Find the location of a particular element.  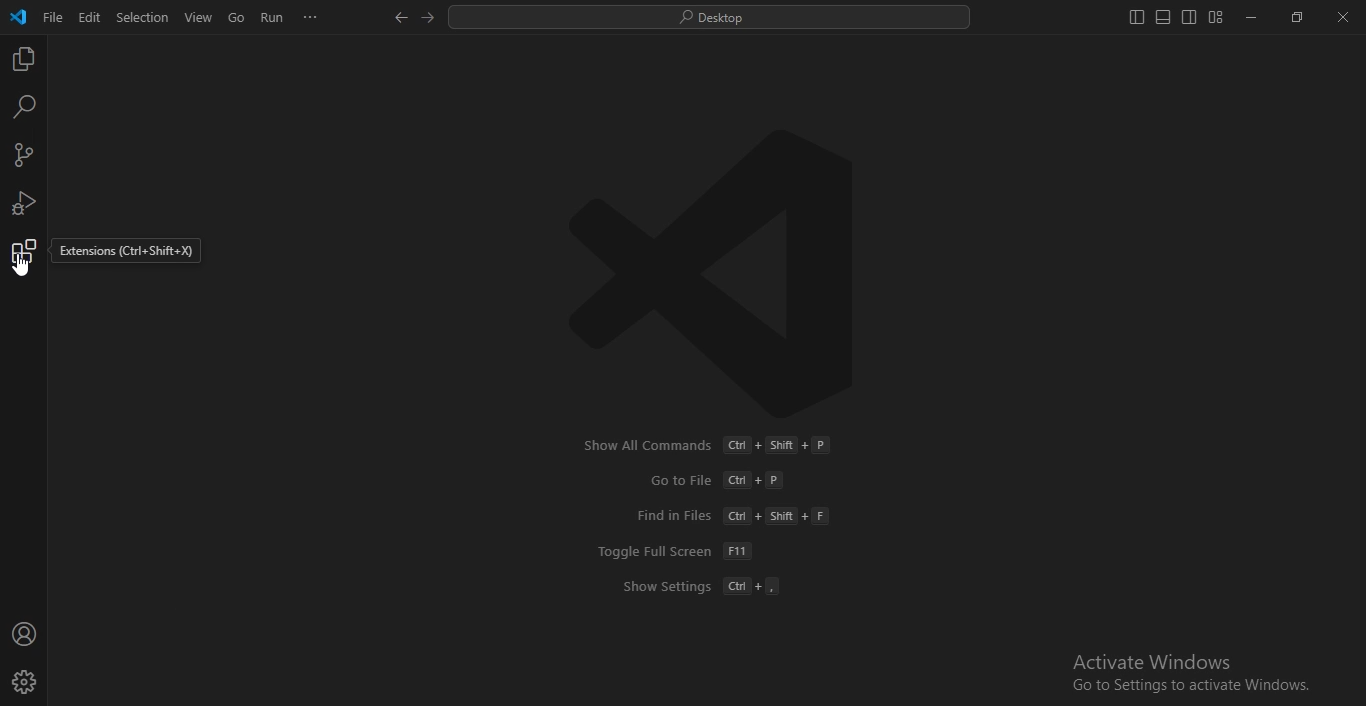

edit is located at coordinates (88, 17).